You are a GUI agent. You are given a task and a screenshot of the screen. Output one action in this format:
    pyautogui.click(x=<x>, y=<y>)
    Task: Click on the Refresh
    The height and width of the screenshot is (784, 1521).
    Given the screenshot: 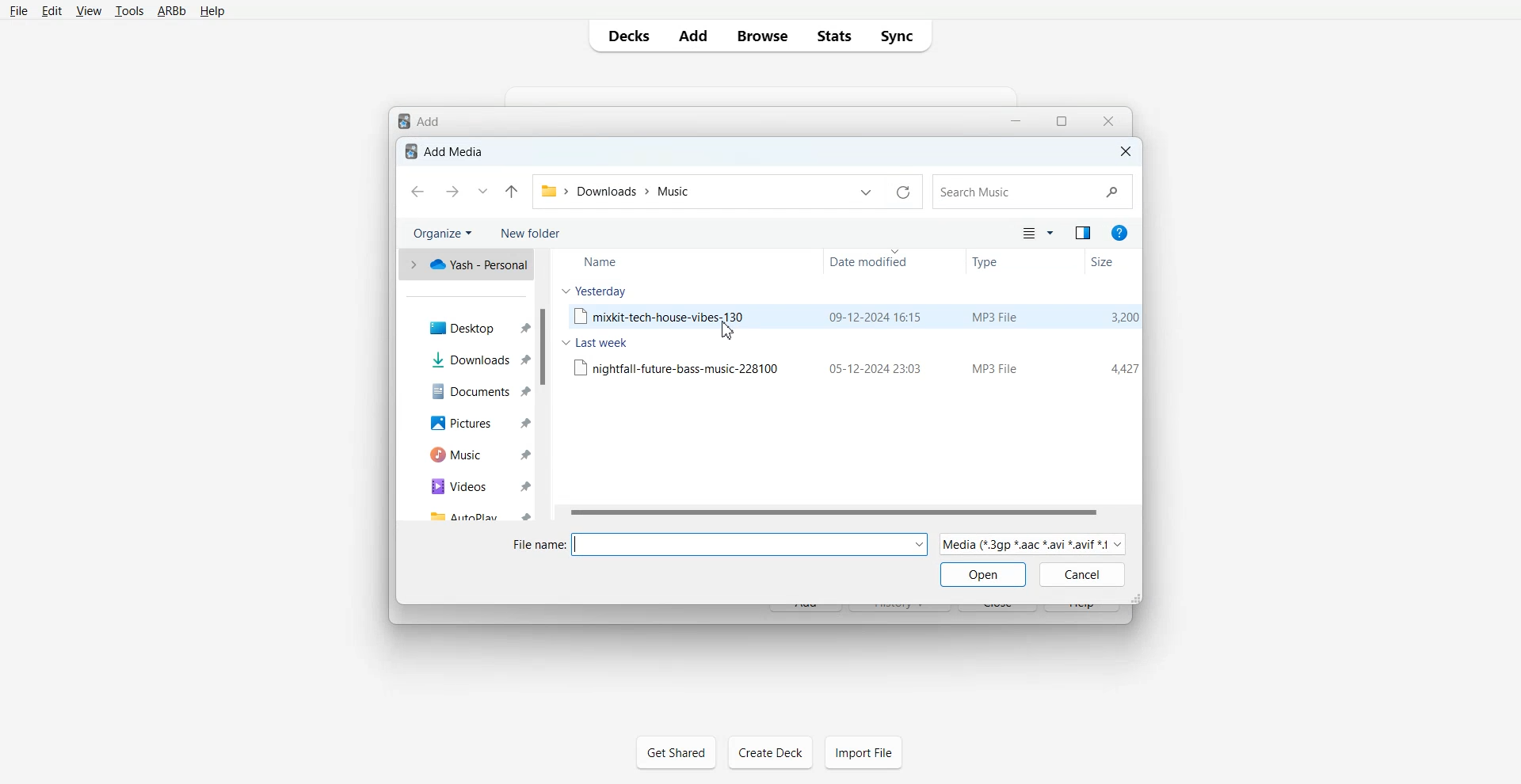 What is the action you would take?
    pyautogui.click(x=903, y=192)
    